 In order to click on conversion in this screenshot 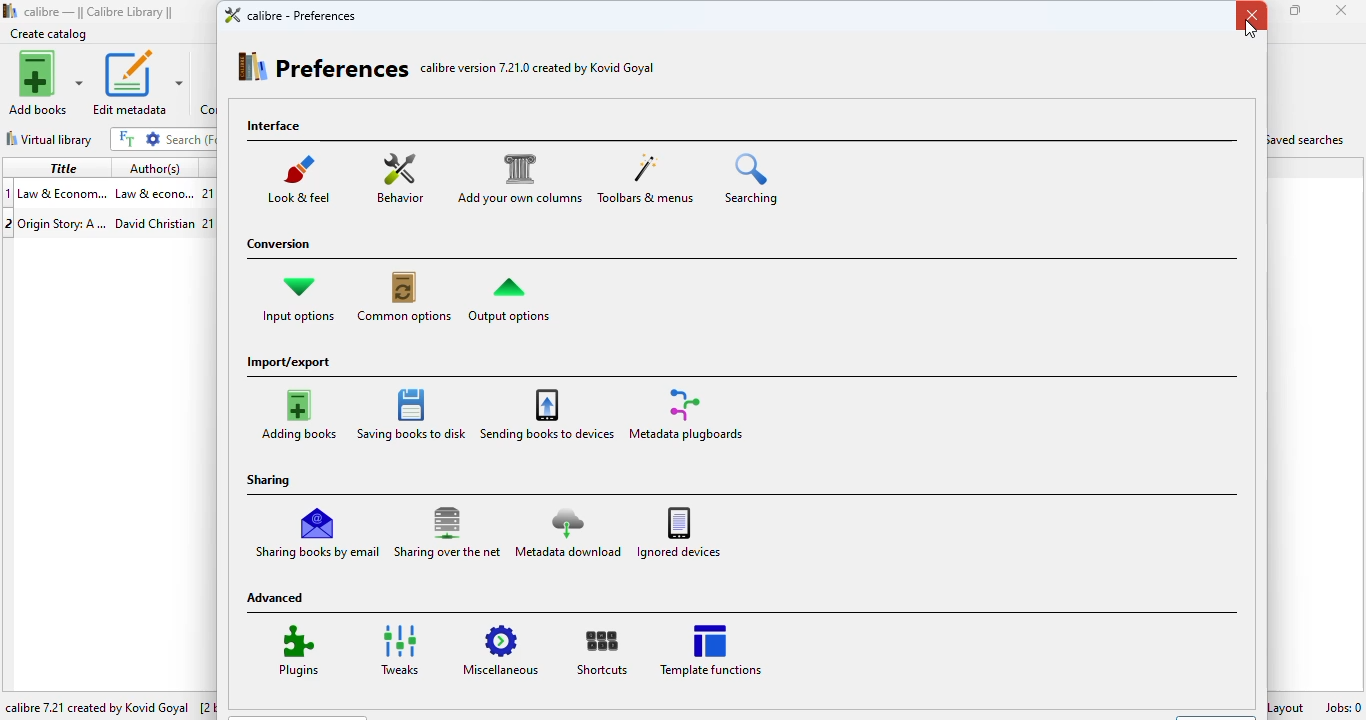, I will do `click(277, 246)`.